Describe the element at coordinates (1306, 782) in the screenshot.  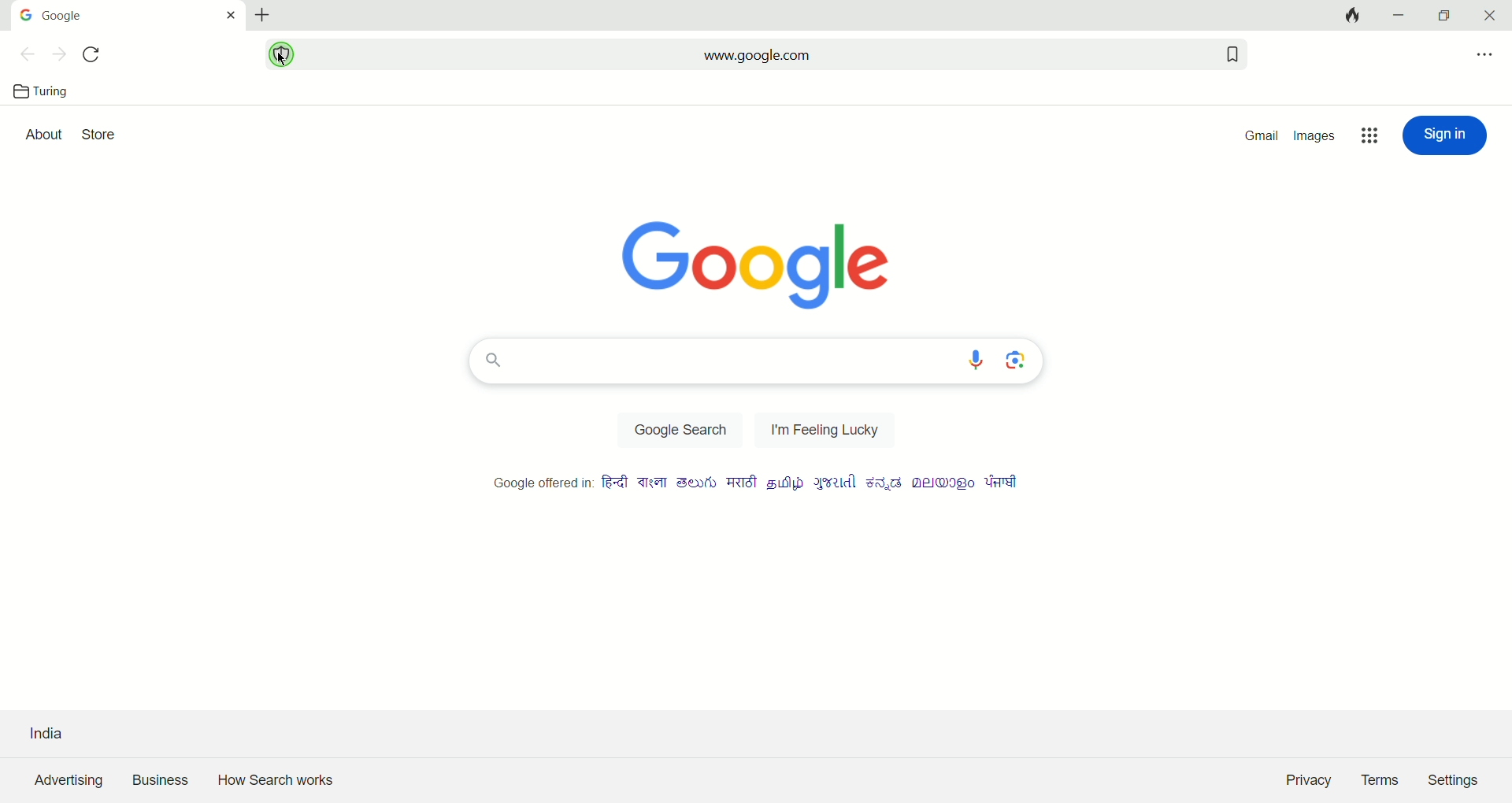
I see `Privacy` at that location.